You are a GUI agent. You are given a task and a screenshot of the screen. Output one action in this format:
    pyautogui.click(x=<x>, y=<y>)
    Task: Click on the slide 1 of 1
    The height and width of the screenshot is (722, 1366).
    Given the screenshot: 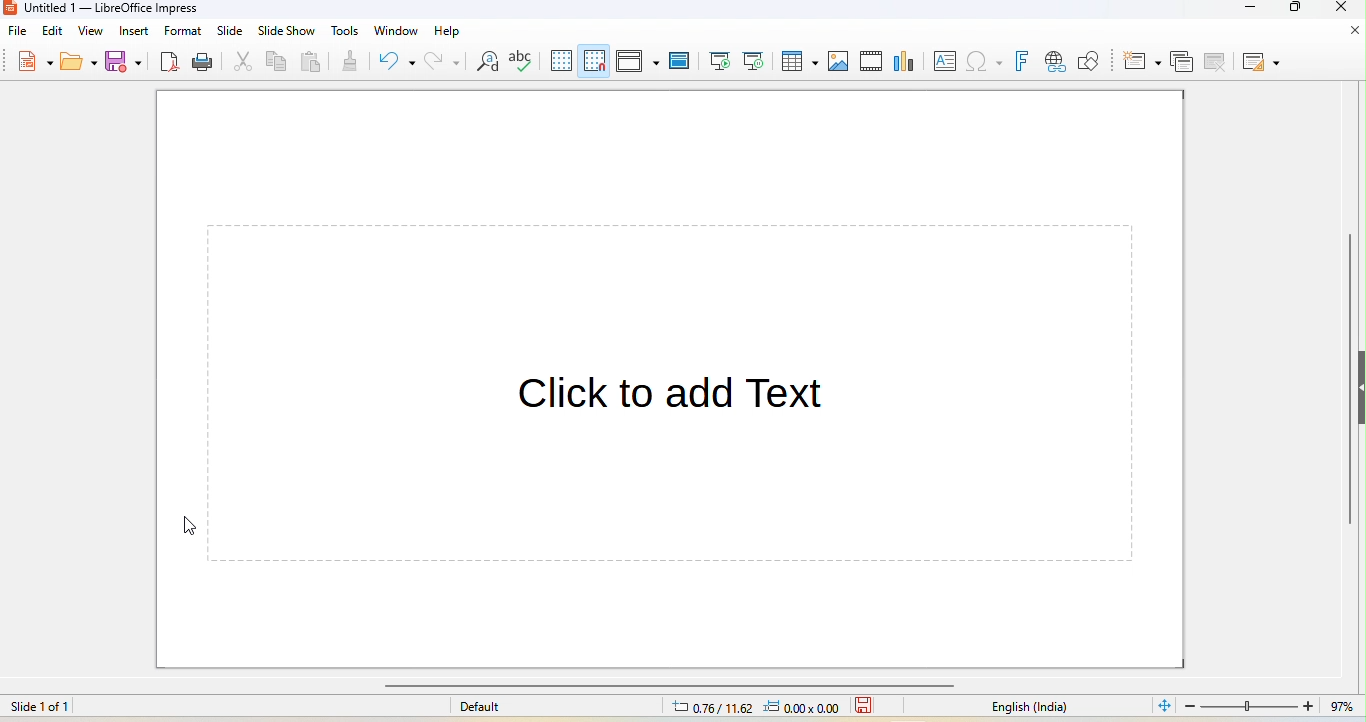 What is the action you would take?
    pyautogui.click(x=90, y=710)
    